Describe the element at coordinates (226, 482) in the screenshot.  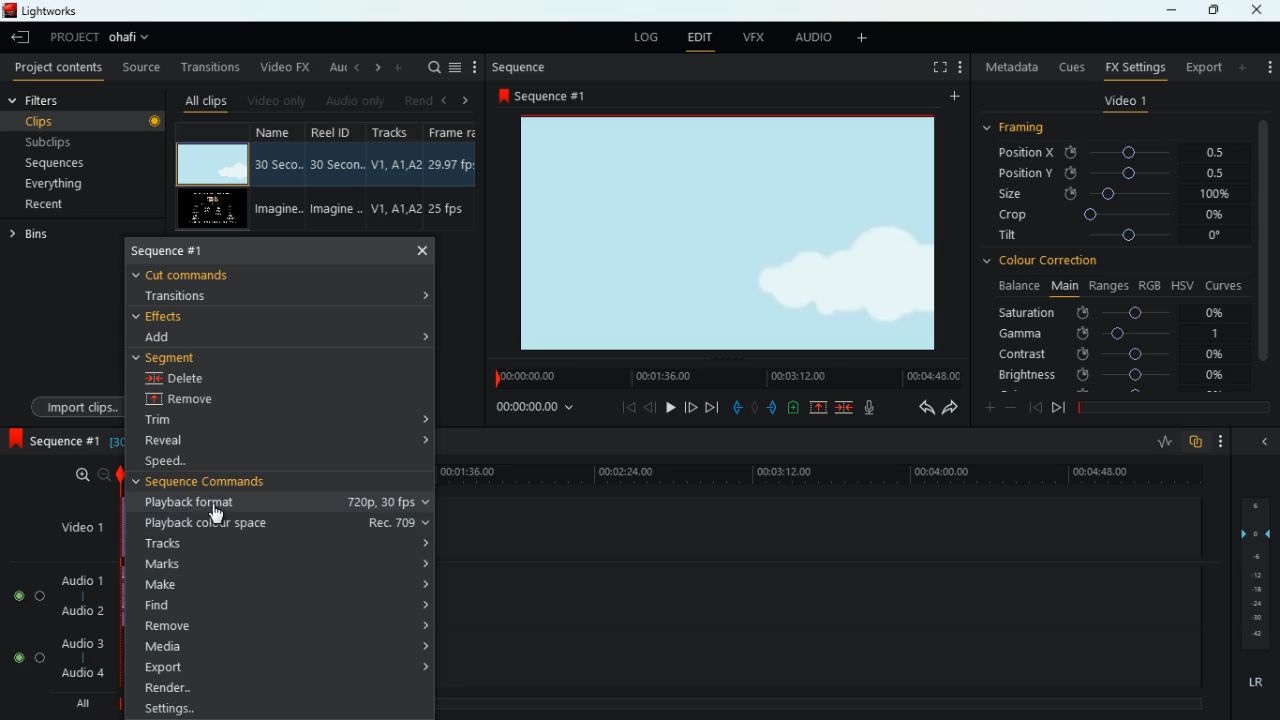
I see `sequence commands` at that location.